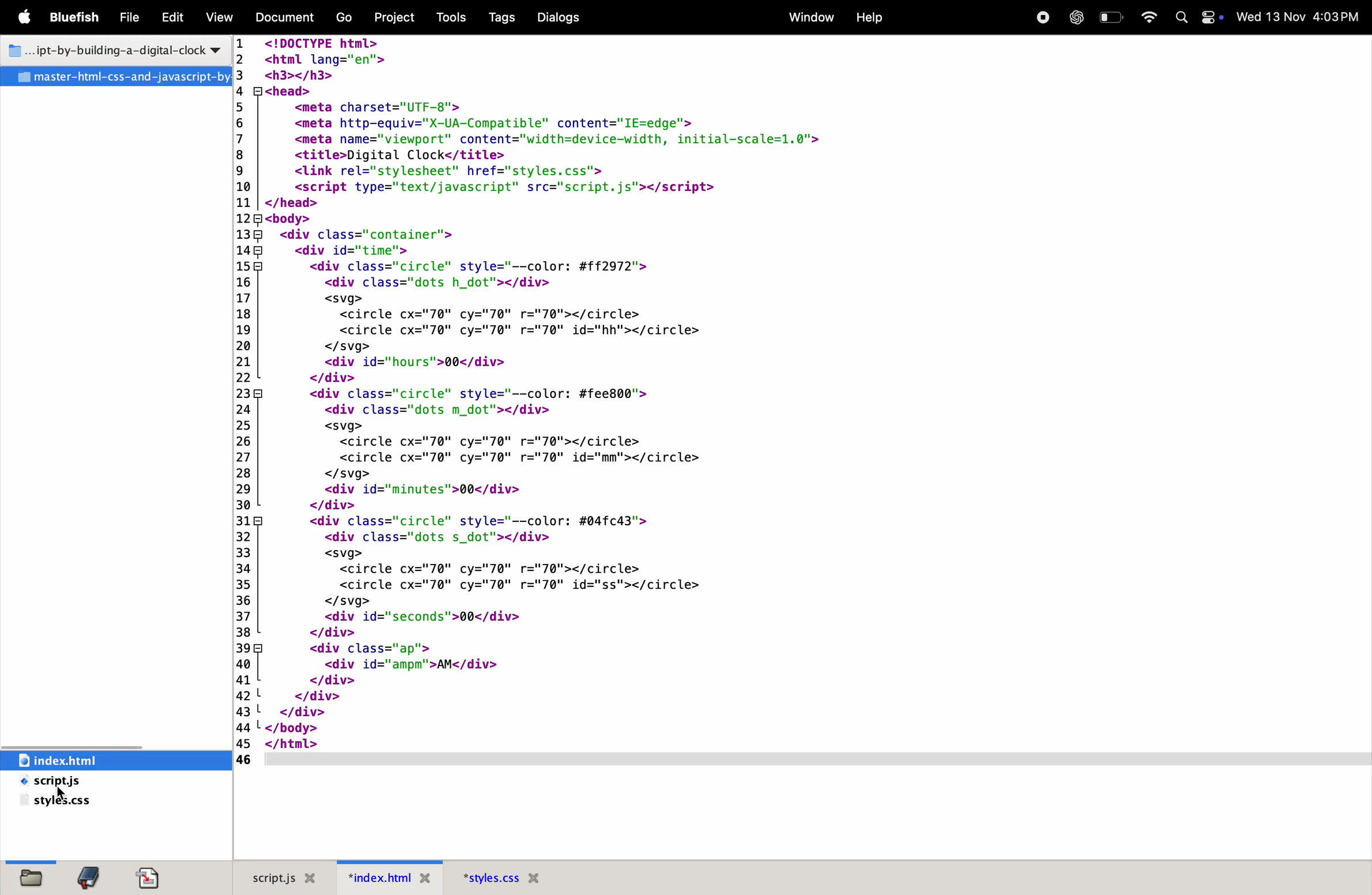 The height and width of the screenshot is (895, 1372). Describe the element at coordinates (75, 17) in the screenshot. I see `Bluefish` at that location.